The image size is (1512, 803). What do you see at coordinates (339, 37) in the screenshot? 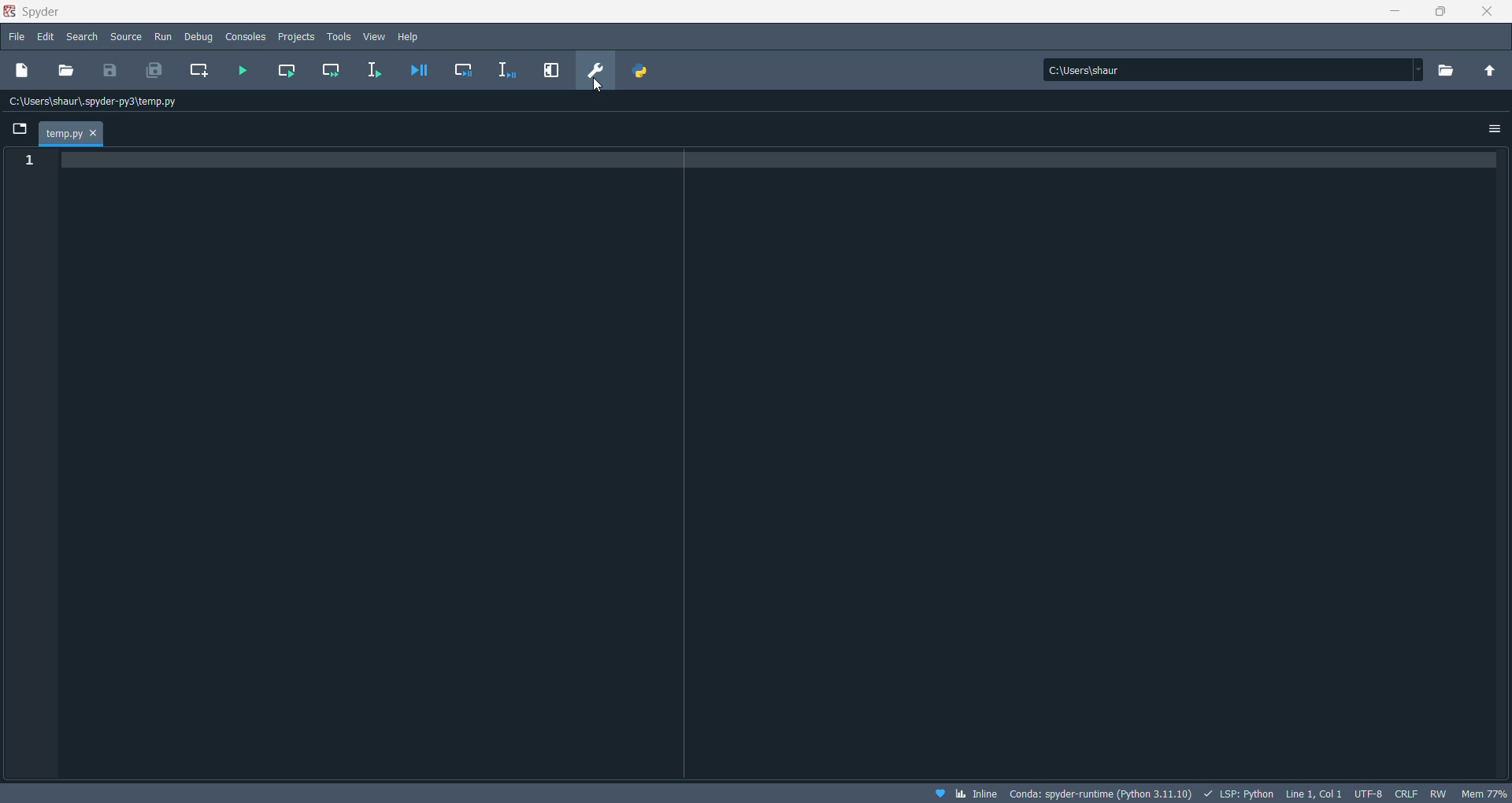
I see `tools` at bounding box center [339, 37].